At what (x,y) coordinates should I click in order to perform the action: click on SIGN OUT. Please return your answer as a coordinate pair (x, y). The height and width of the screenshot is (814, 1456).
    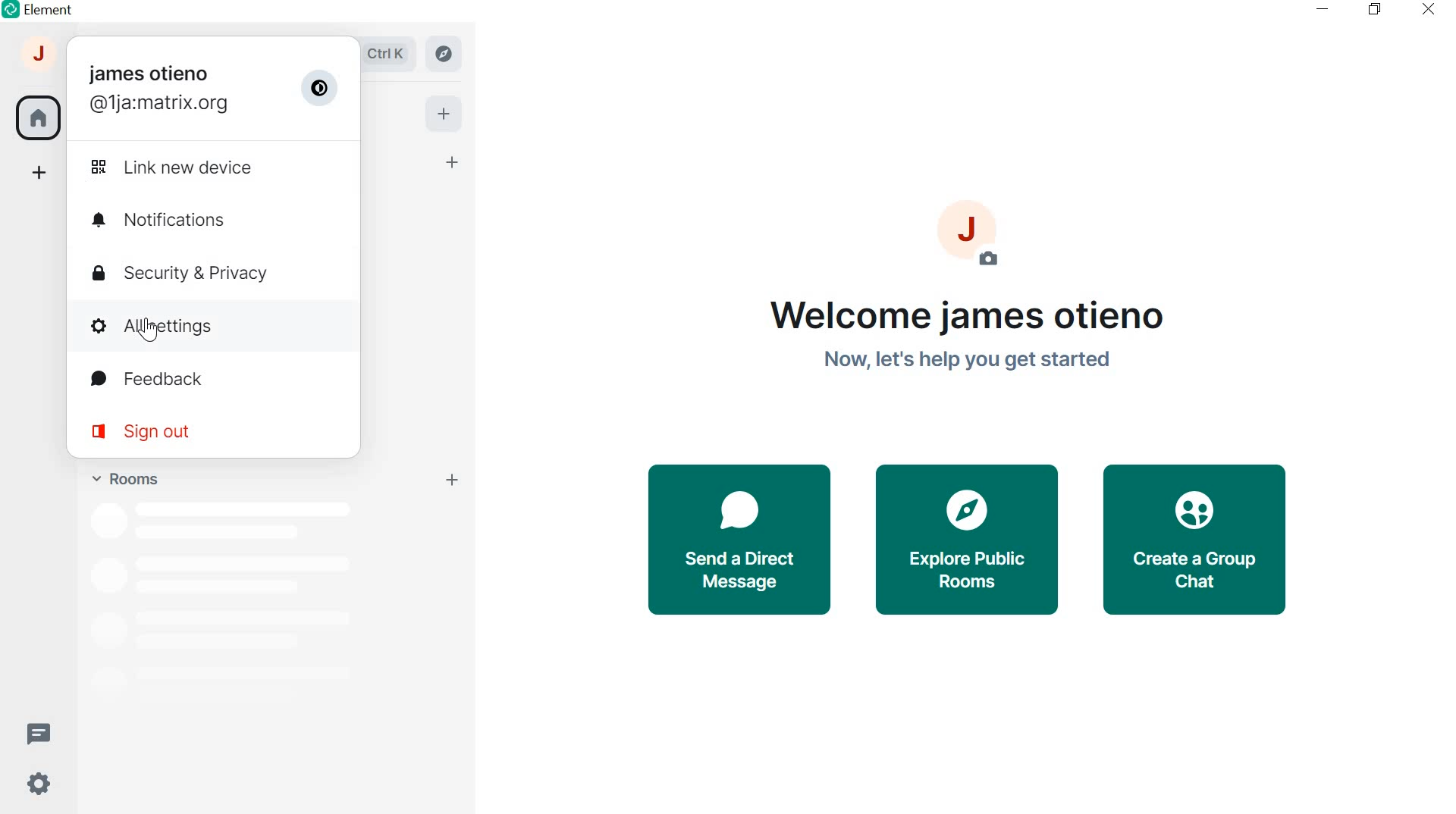
    Looking at the image, I should click on (204, 430).